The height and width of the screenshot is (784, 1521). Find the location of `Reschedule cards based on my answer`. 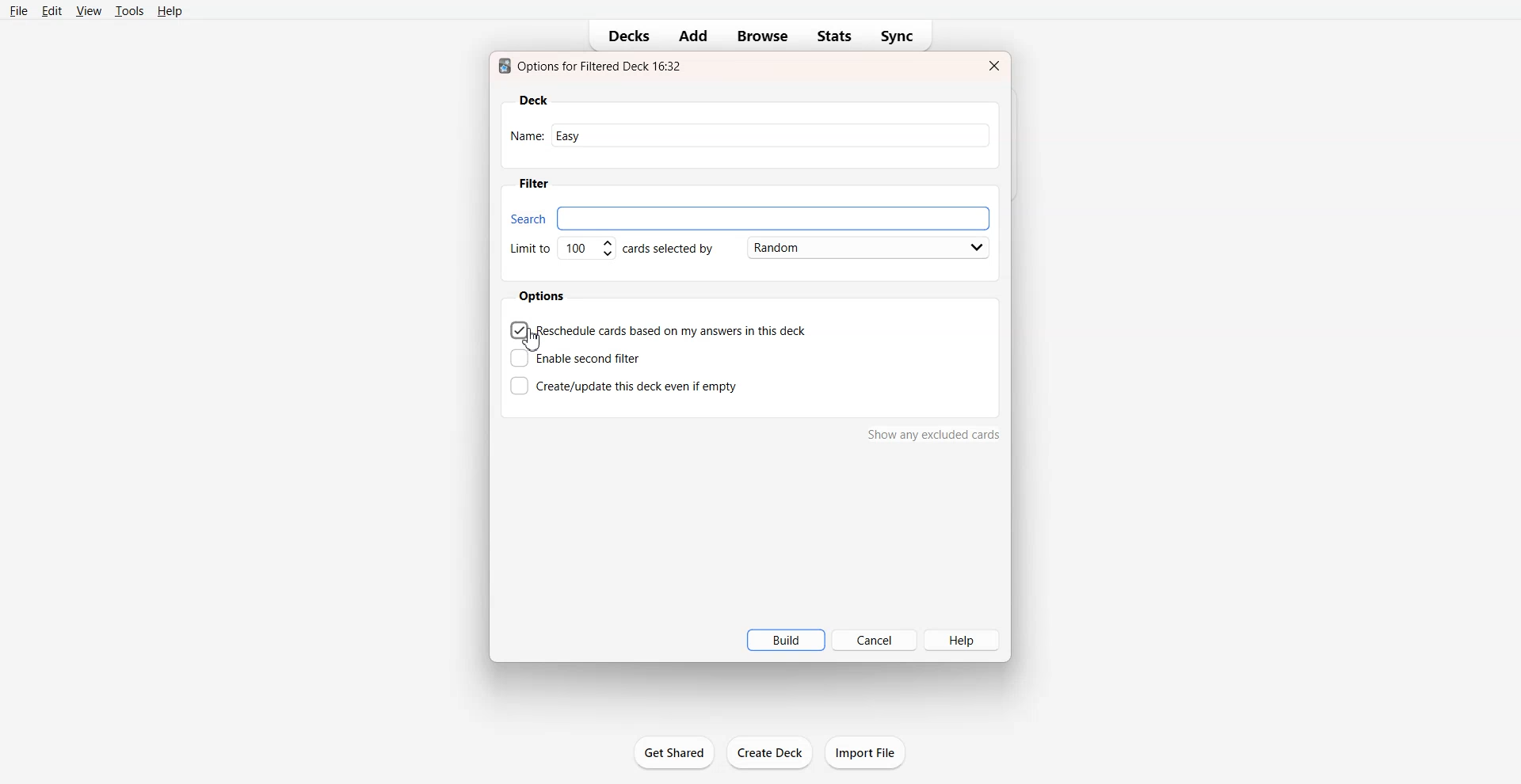

Reschedule cards based on my answer is located at coordinates (660, 329).